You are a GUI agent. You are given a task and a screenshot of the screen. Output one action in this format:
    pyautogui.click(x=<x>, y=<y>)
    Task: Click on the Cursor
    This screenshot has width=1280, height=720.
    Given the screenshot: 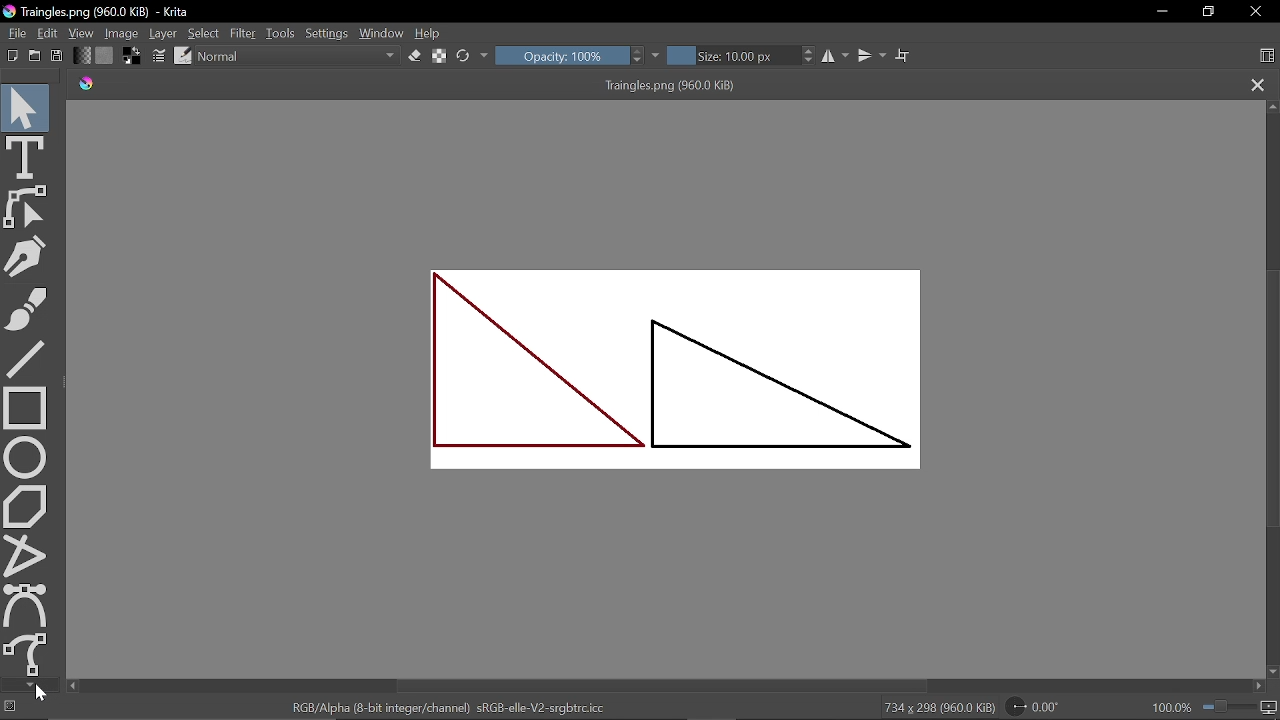 What is the action you would take?
    pyautogui.click(x=41, y=694)
    